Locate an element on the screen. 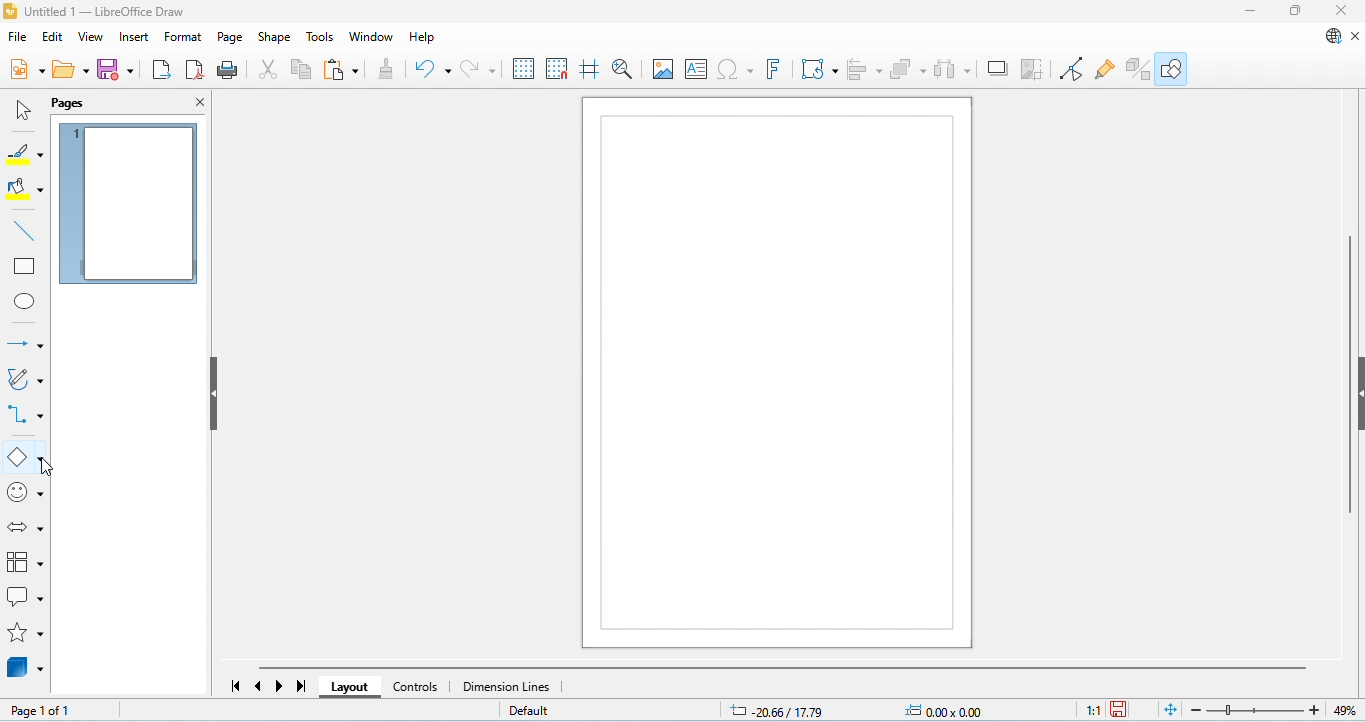  page is located at coordinates (231, 39).